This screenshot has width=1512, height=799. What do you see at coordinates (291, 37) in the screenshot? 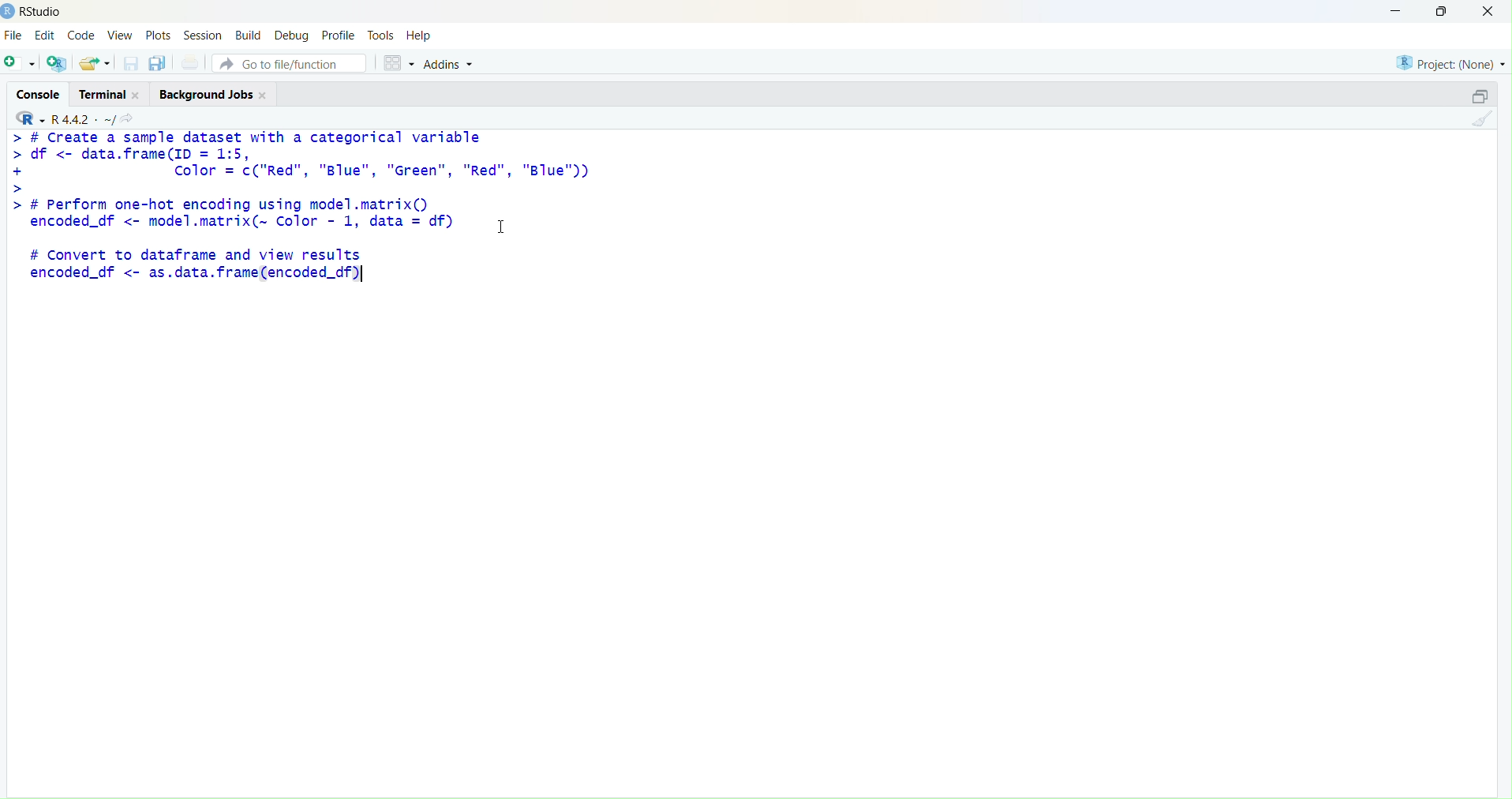
I see `debug` at bounding box center [291, 37].